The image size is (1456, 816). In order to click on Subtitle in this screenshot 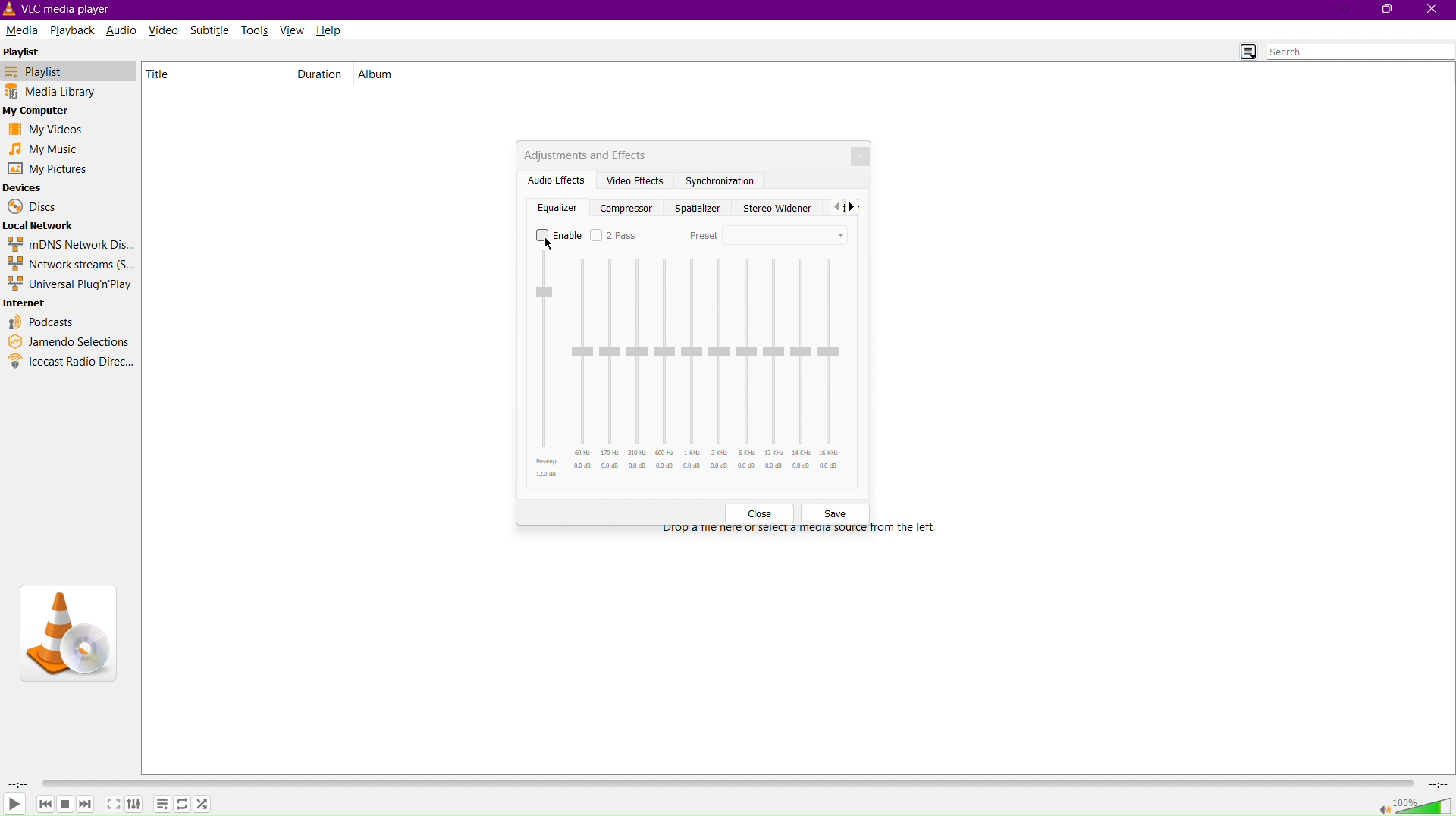, I will do `click(215, 30)`.